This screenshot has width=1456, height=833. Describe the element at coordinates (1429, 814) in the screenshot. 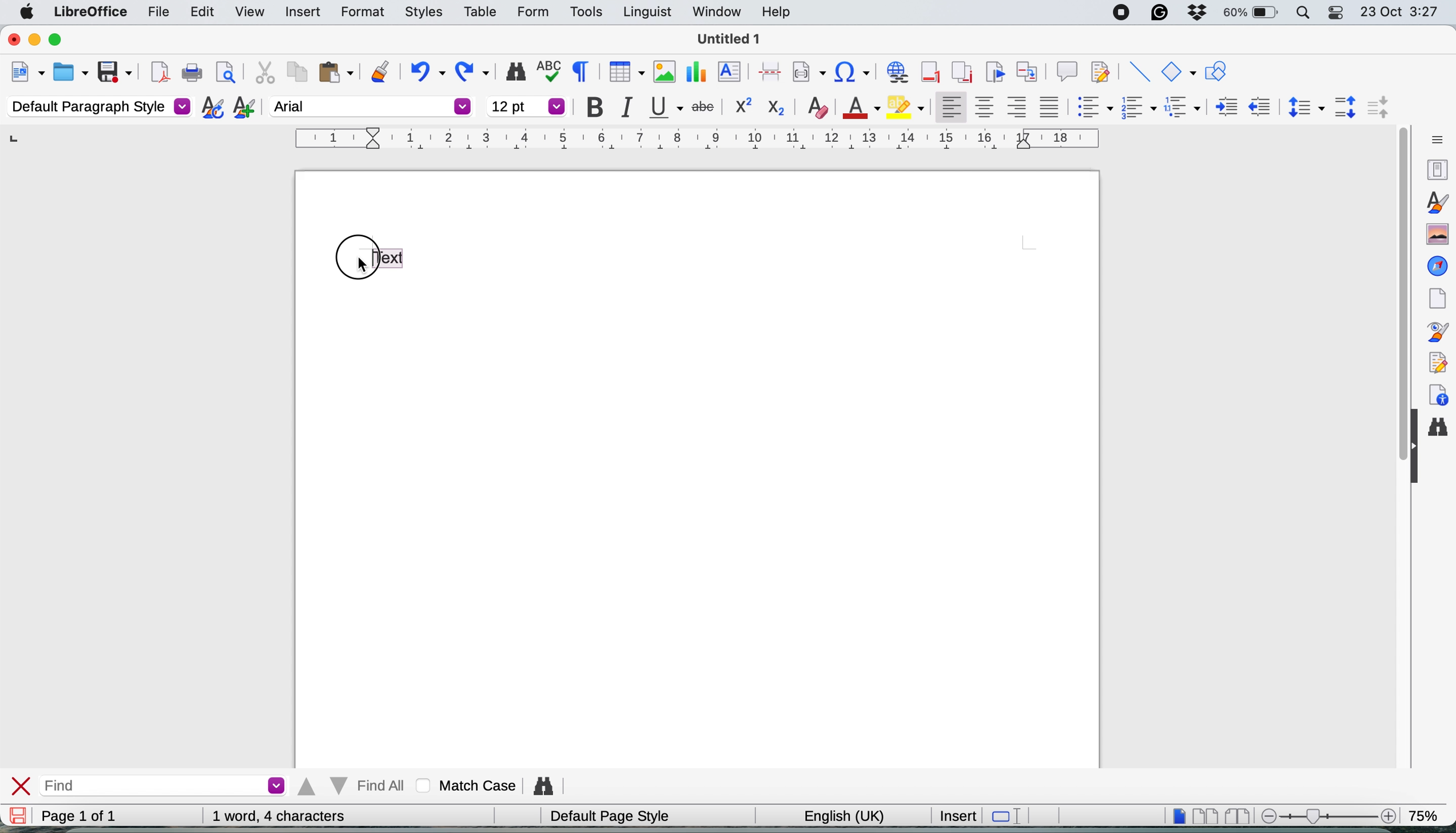

I see `zoom factor` at that location.